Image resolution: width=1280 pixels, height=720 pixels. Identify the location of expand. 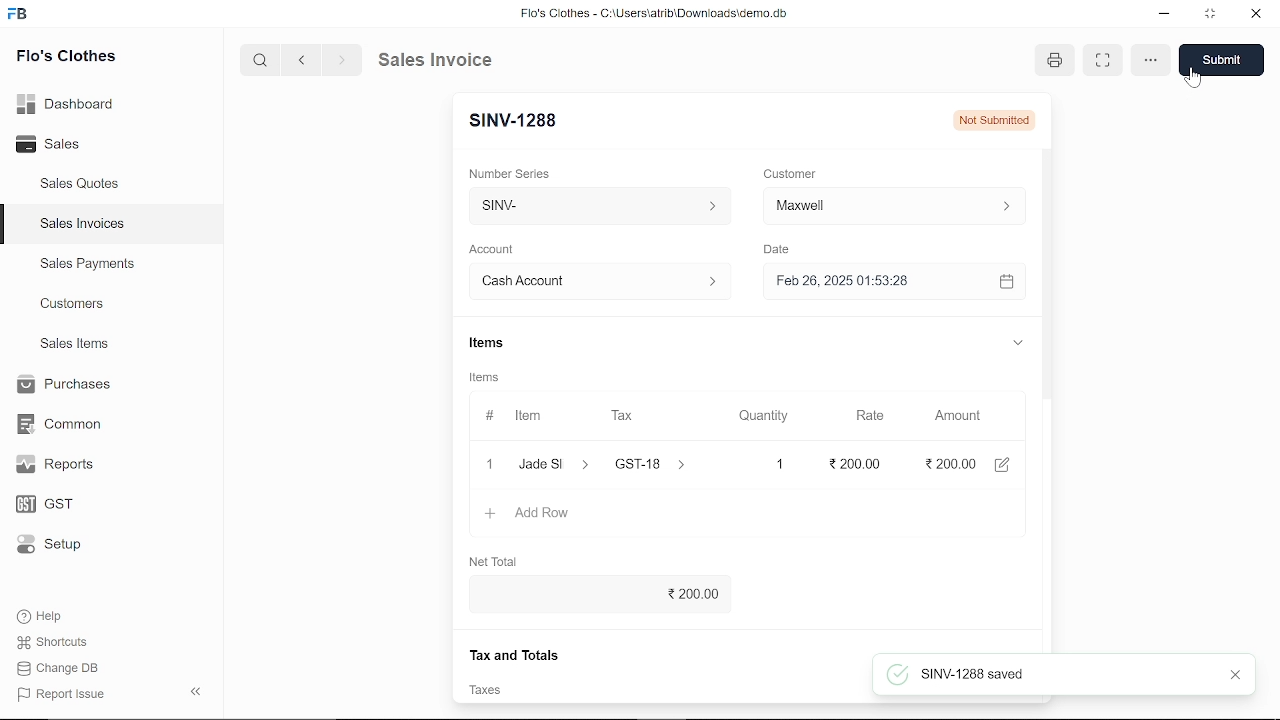
(1016, 341).